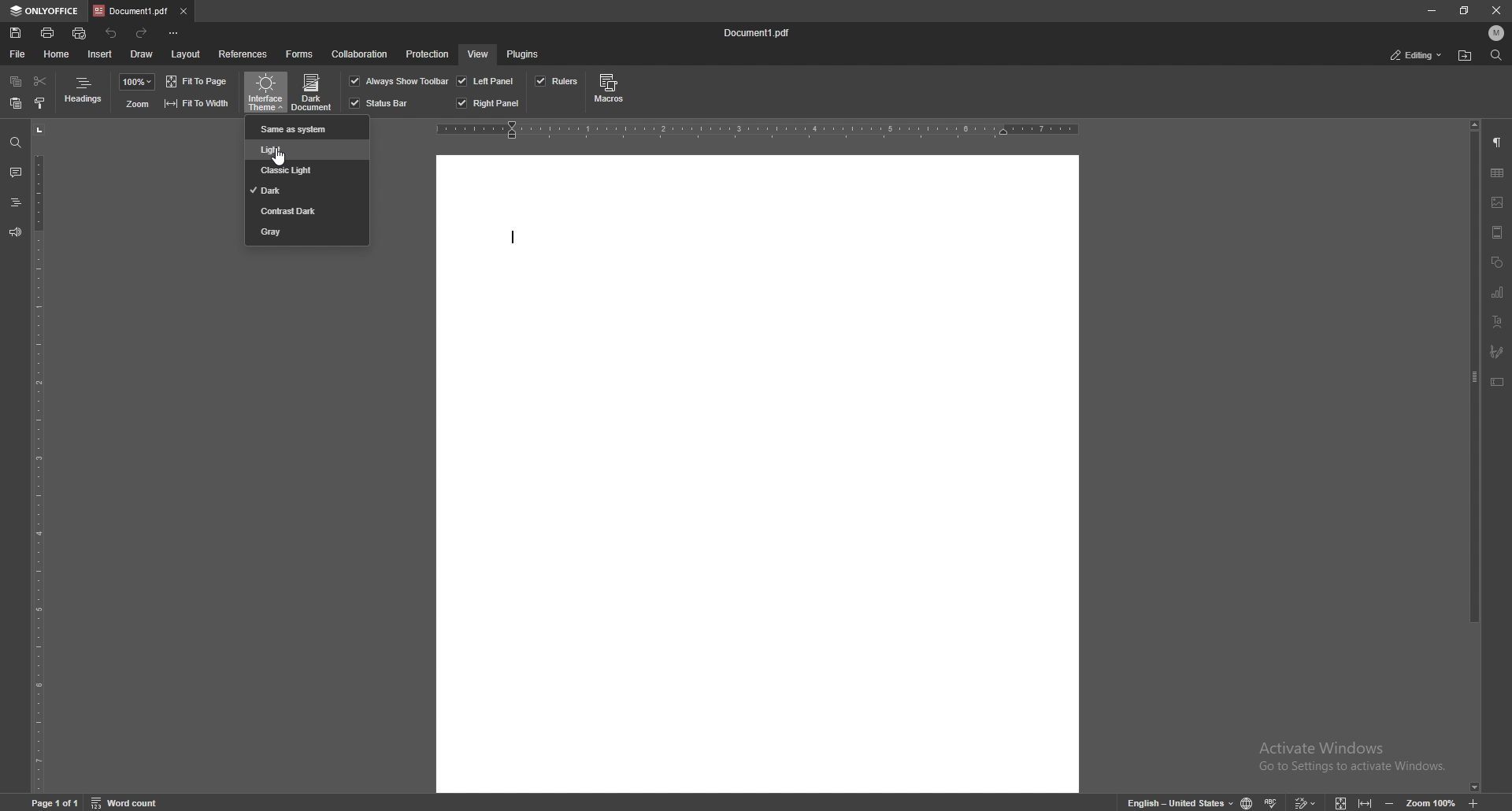 The width and height of the screenshot is (1512, 811). Describe the element at coordinates (16, 103) in the screenshot. I see `paste` at that location.